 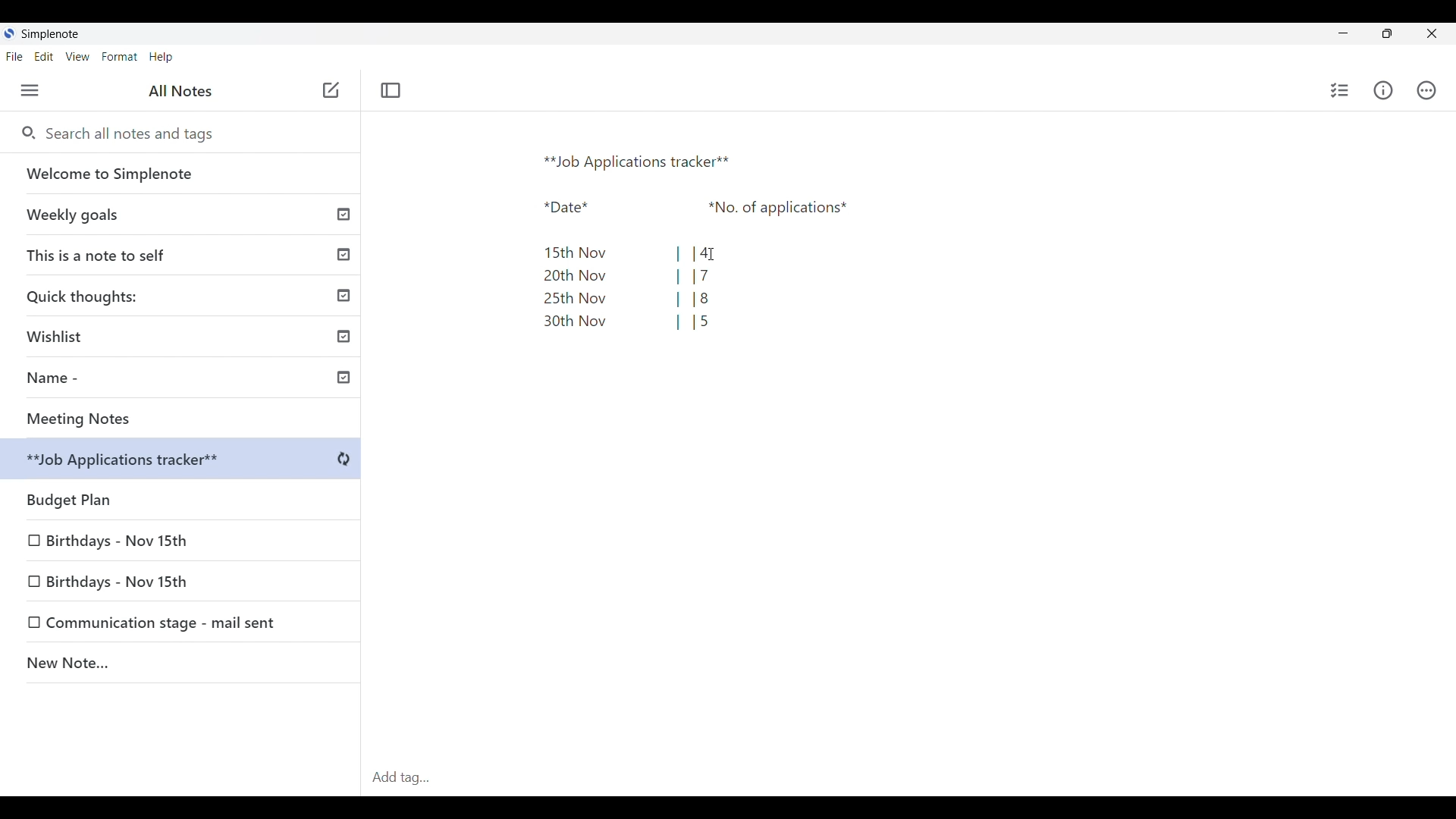 I want to click on close, so click(x=1437, y=33).